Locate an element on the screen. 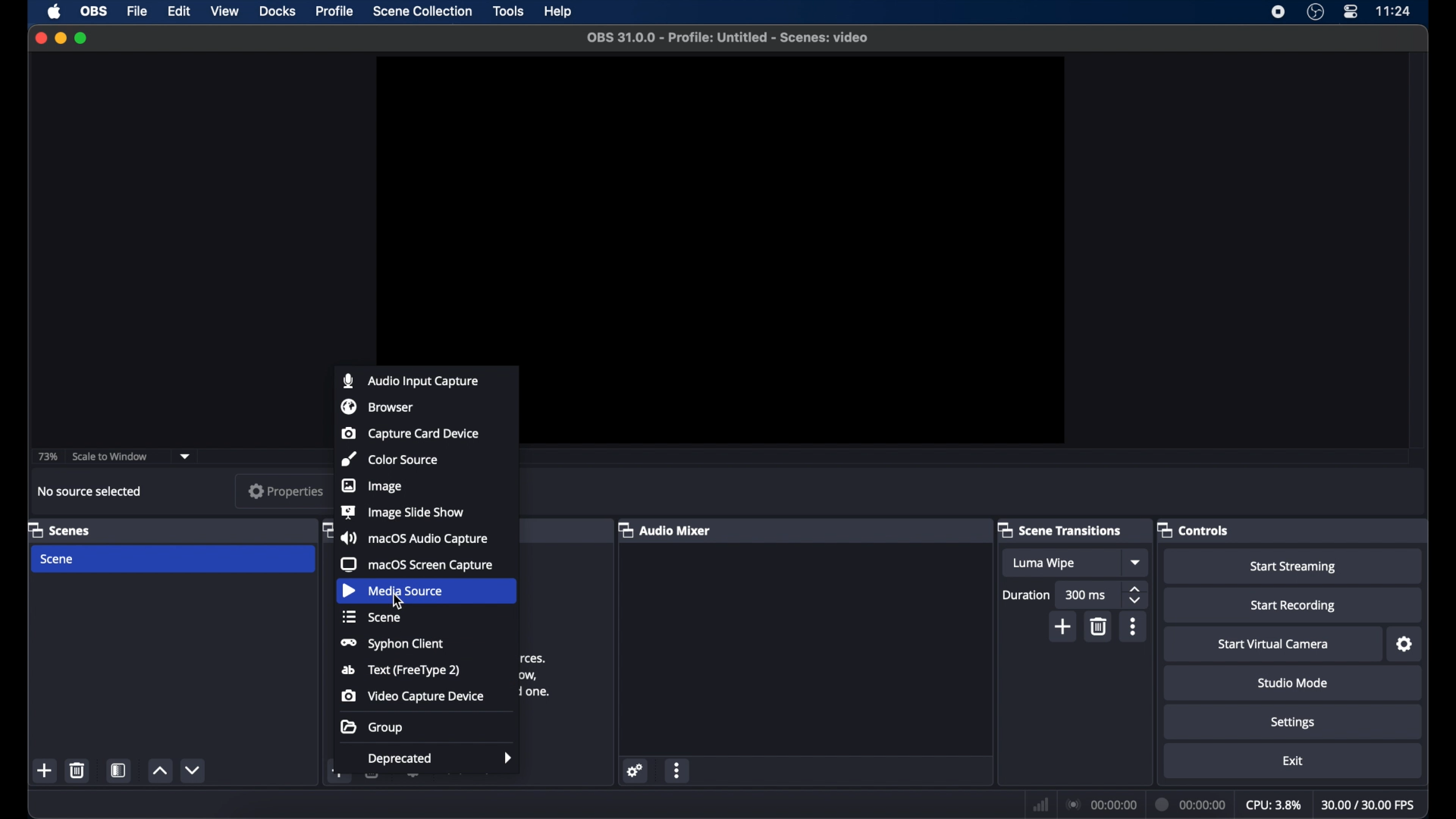  delete is located at coordinates (374, 775).